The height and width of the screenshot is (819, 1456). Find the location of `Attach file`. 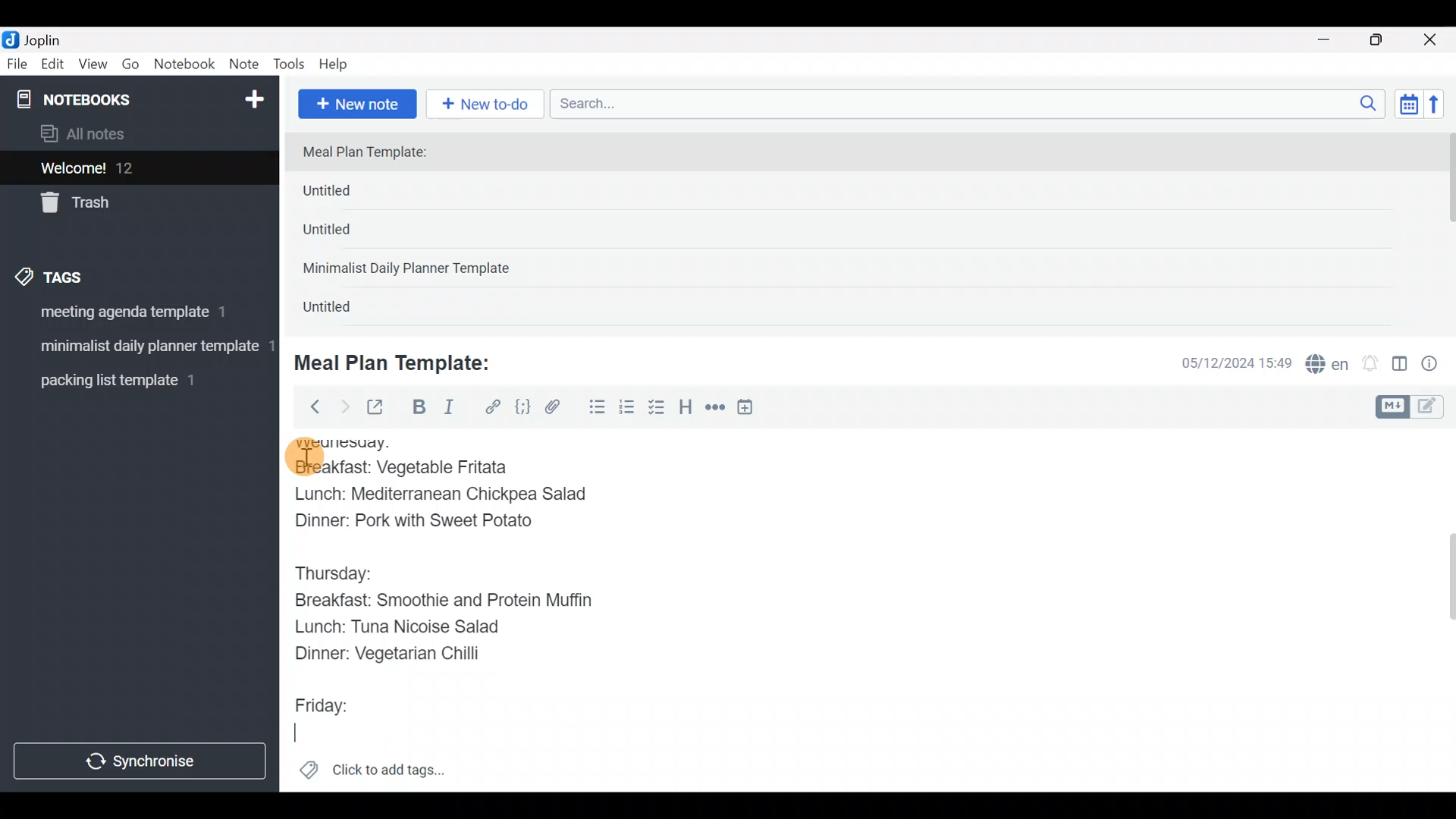

Attach file is located at coordinates (557, 409).